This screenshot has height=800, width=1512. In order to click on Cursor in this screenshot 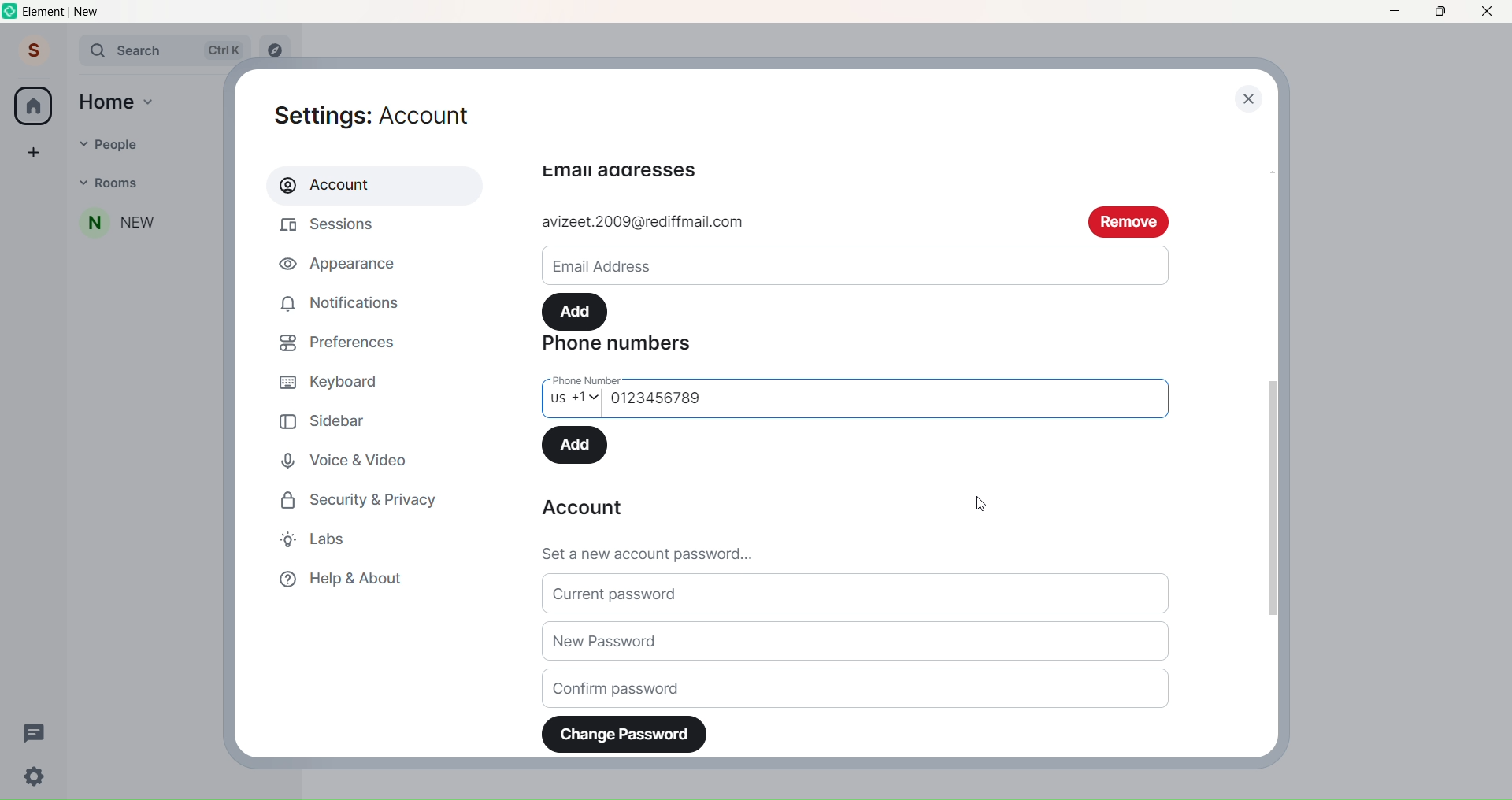, I will do `click(983, 502)`.